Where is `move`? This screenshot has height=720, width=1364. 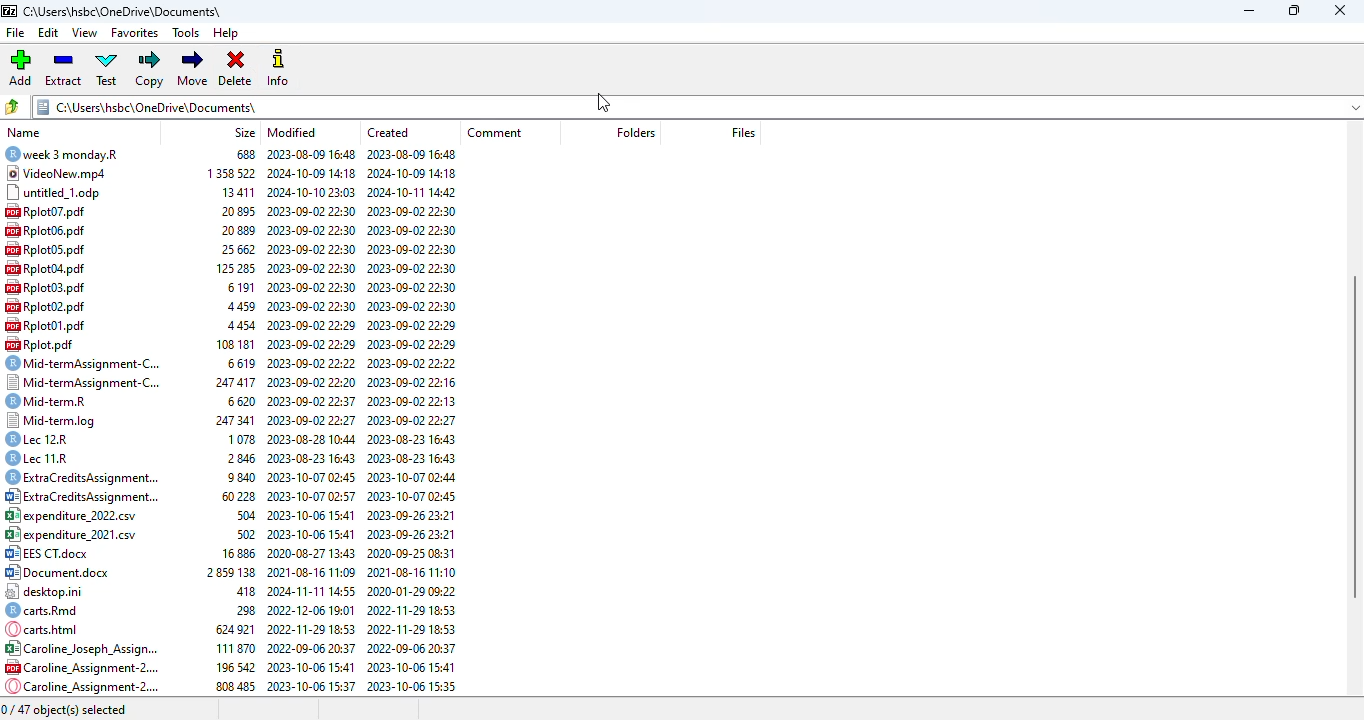 move is located at coordinates (193, 69).